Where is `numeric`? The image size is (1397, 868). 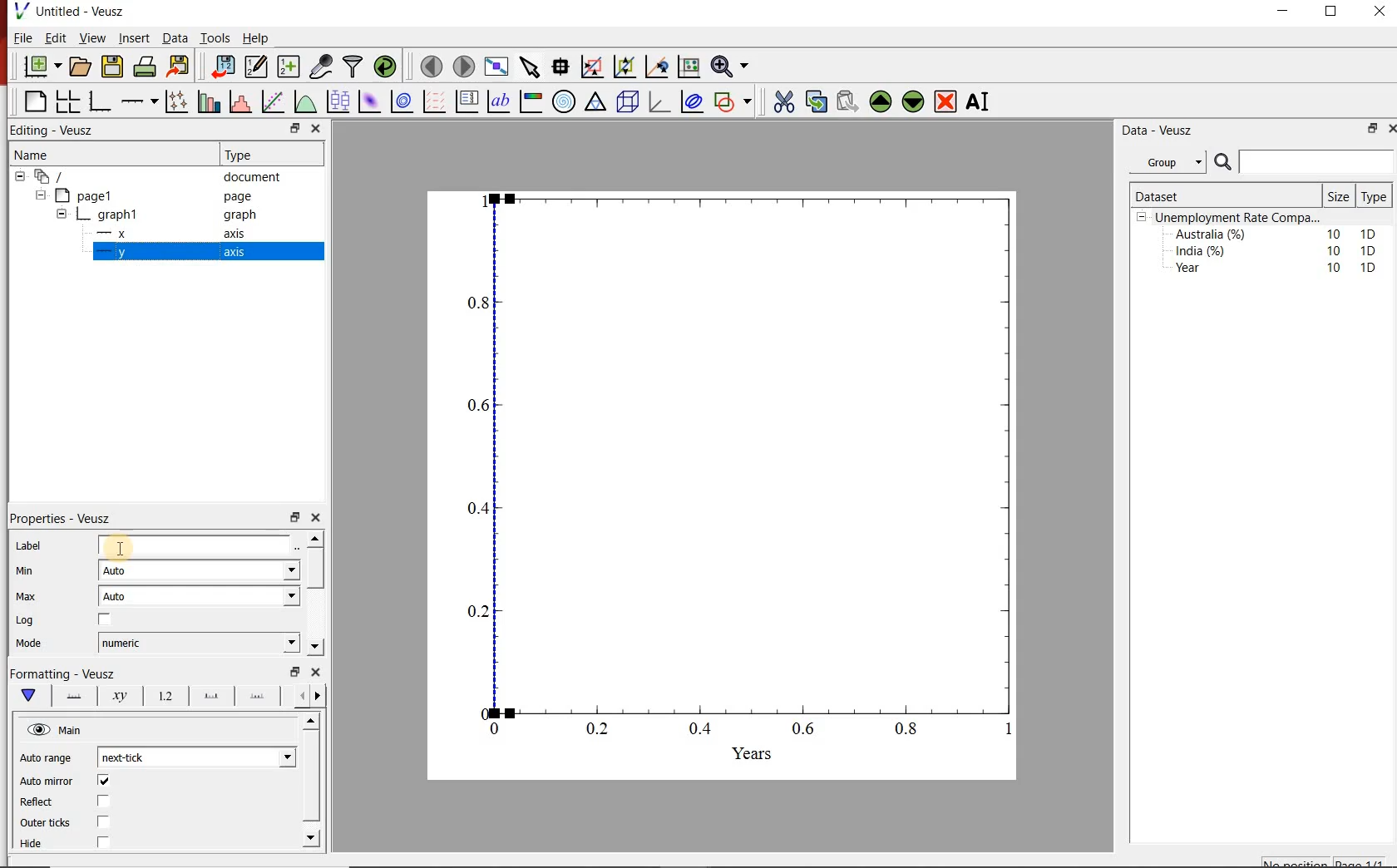 numeric is located at coordinates (200, 643).